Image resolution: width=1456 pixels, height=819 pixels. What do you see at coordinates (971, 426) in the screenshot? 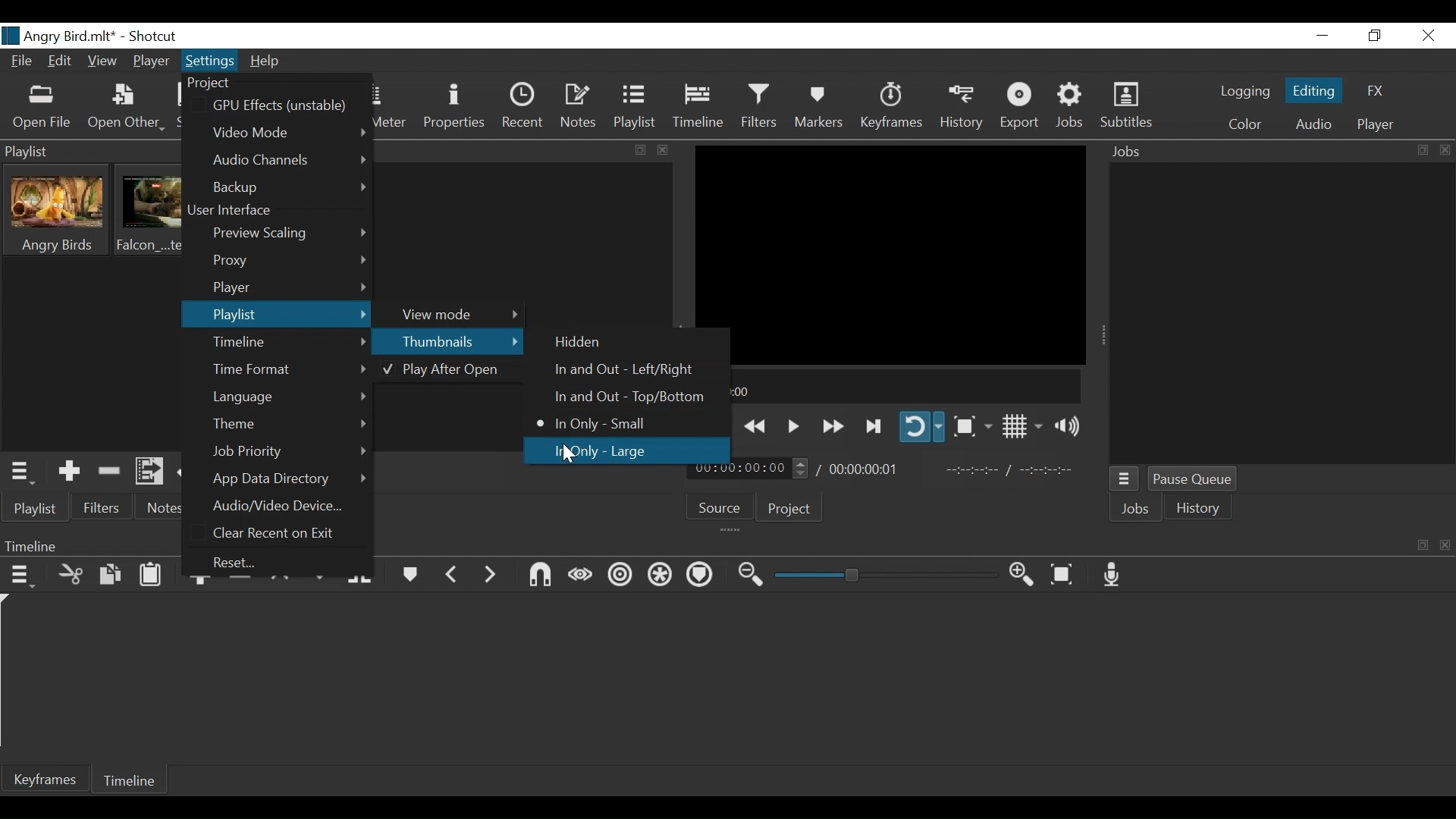
I see `Toggle Zoom` at bounding box center [971, 426].